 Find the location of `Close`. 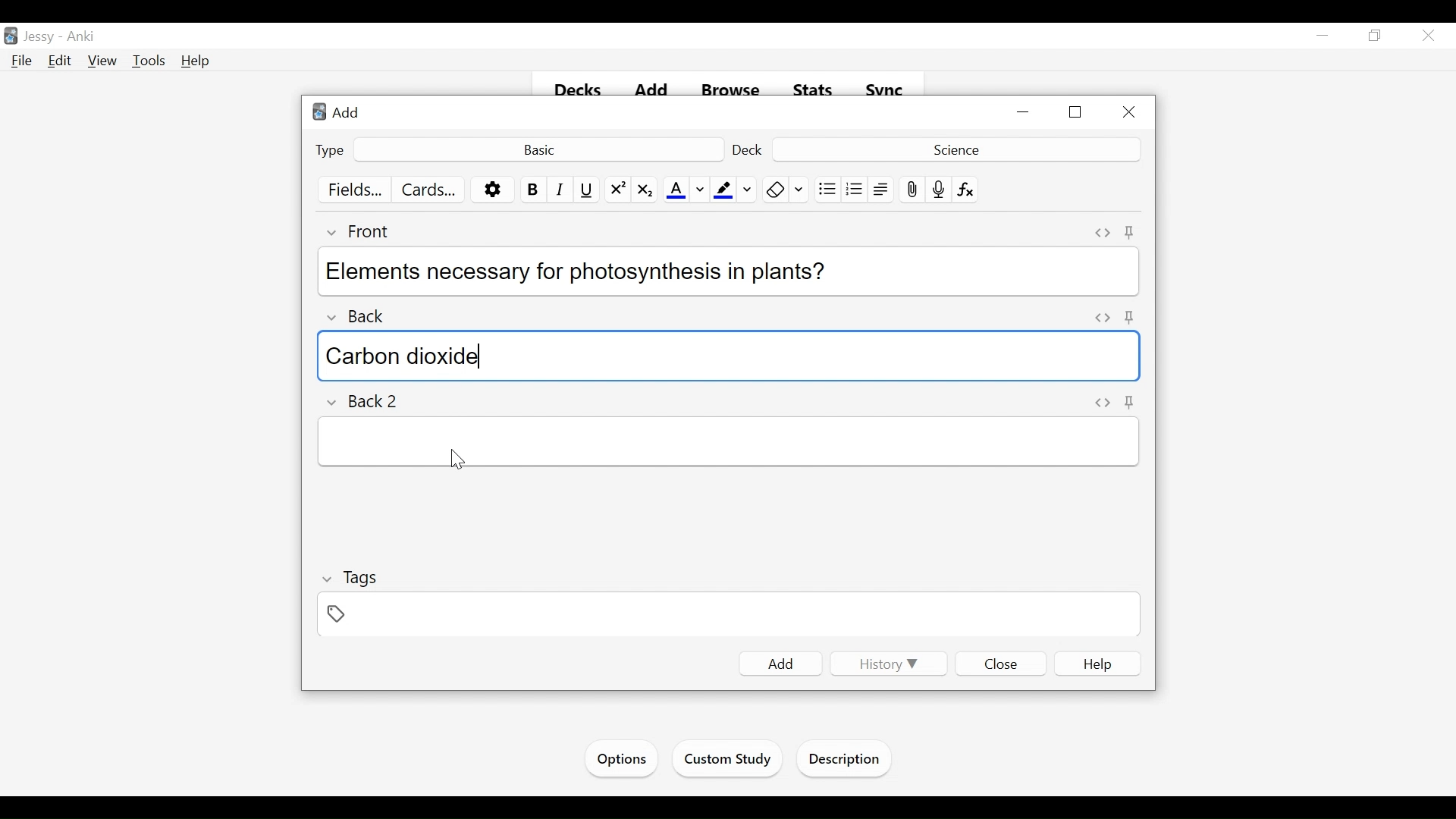

Close is located at coordinates (1128, 113).